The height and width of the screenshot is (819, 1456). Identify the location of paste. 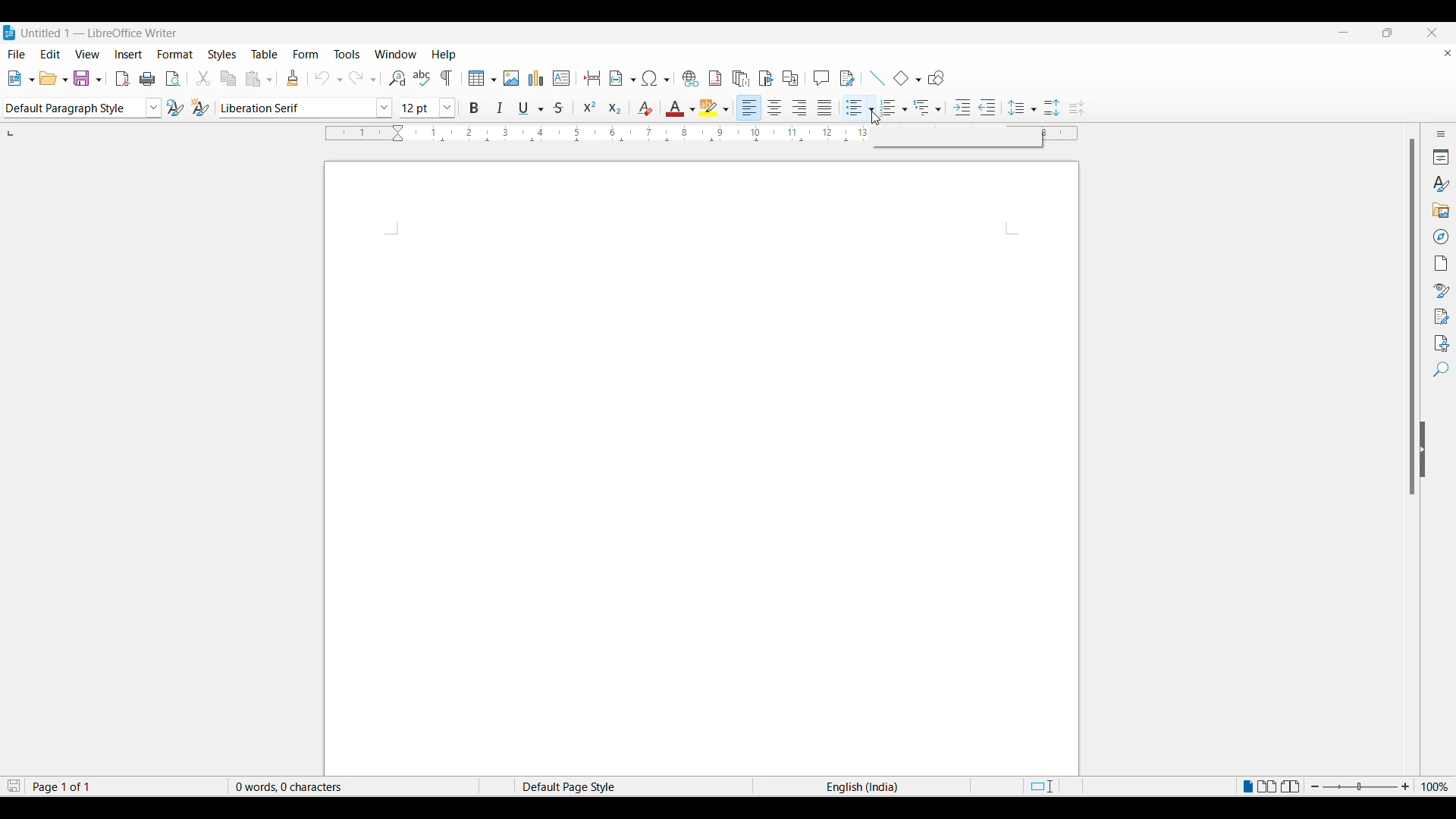
(261, 80).